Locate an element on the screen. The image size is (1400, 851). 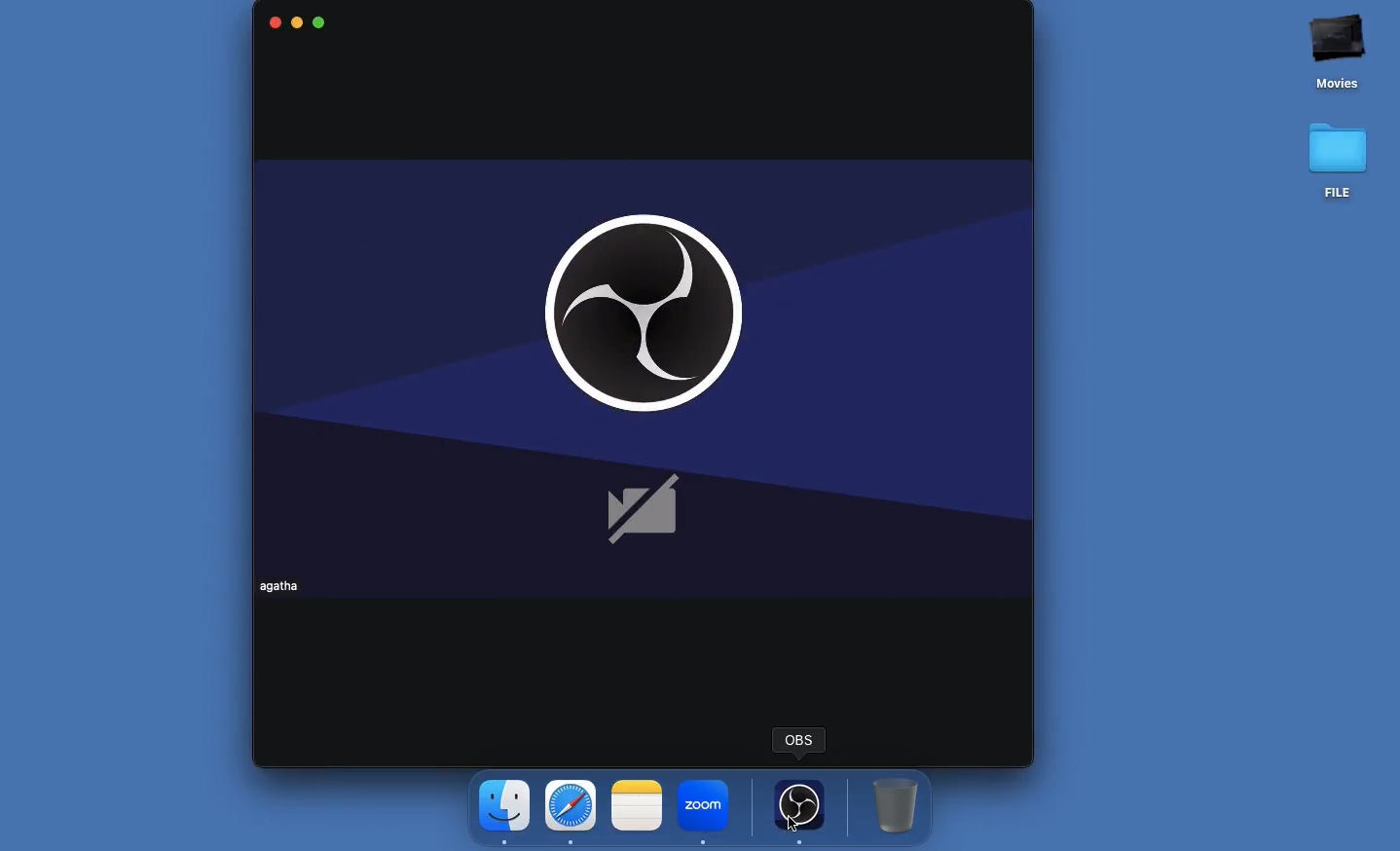
Close is located at coordinates (273, 21).